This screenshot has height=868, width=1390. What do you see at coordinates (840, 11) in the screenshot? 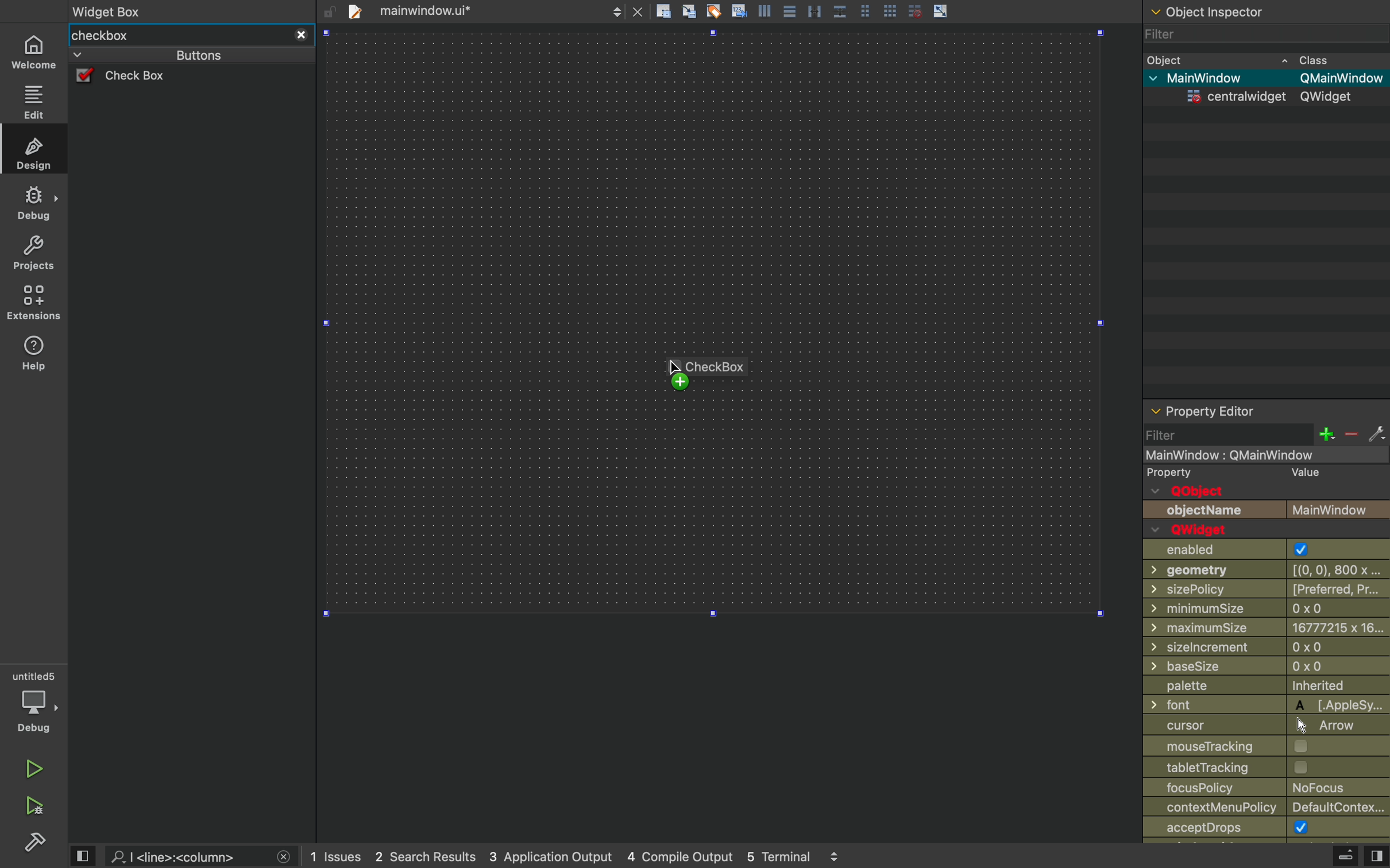
I see `distribute vertically` at bounding box center [840, 11].